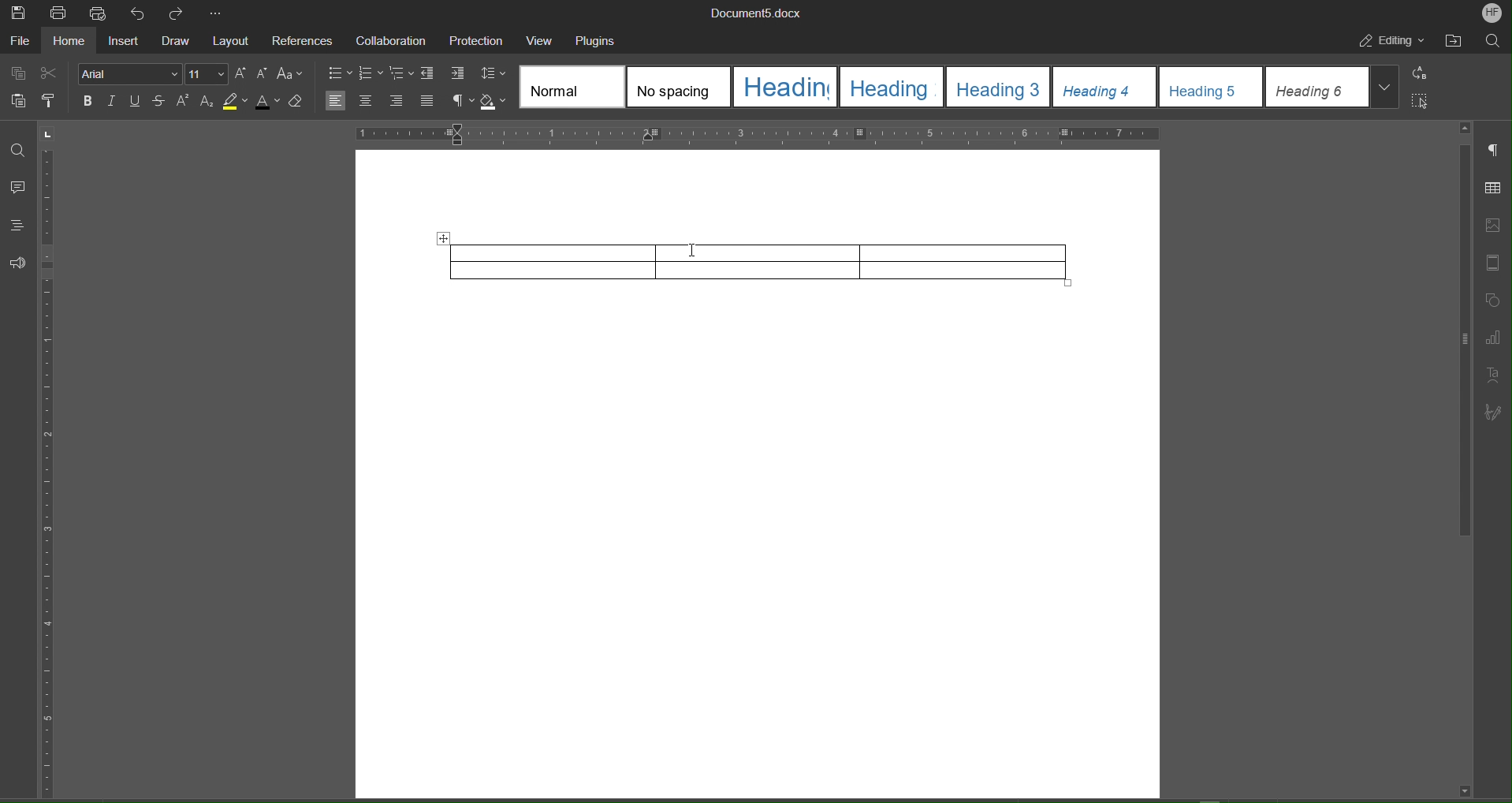 This screenshot has height=803, width=1512. I want to click on Image Settings, so click(1495, 221).